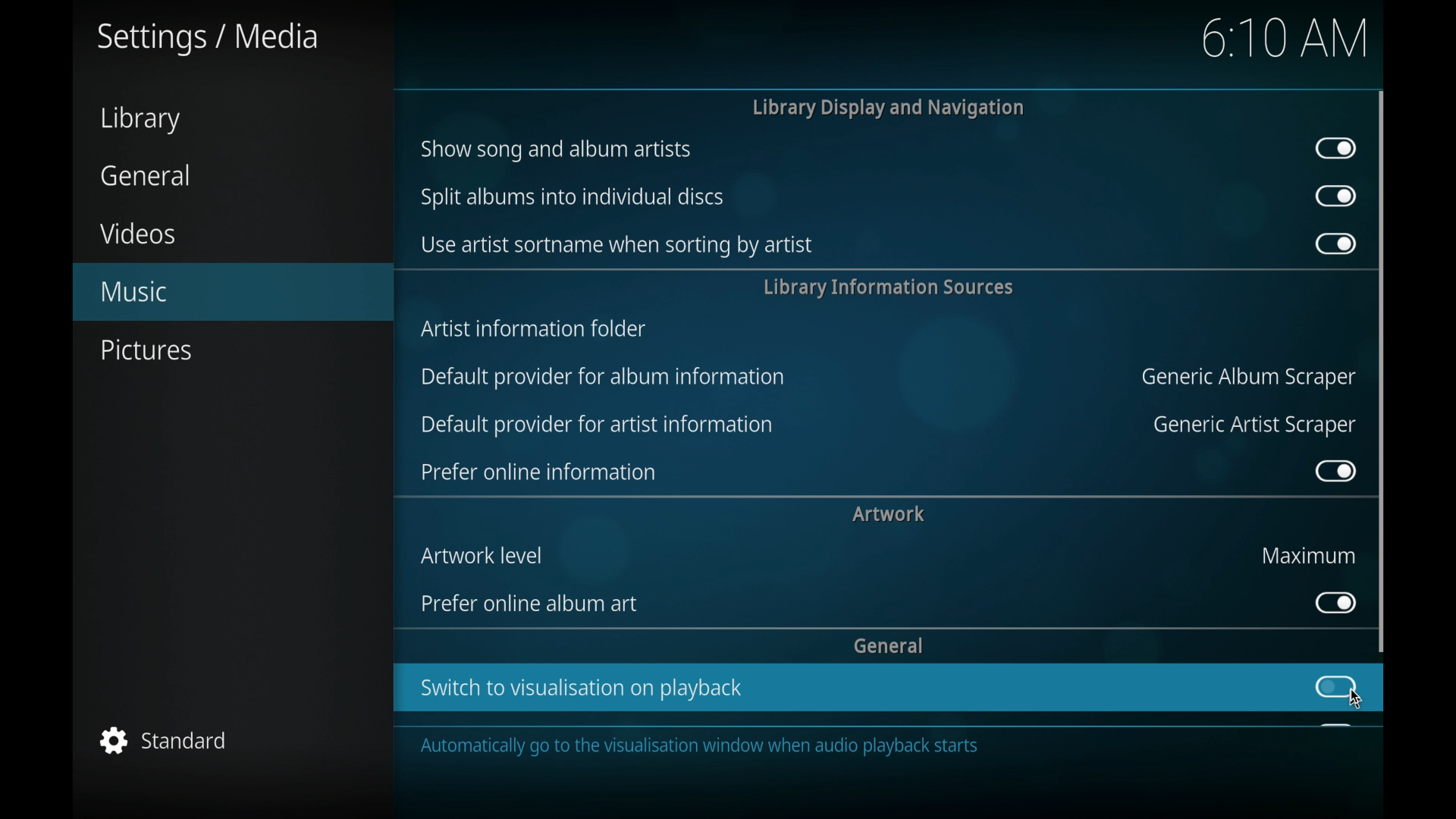 The height and width of the screenshot is (819, 1456). Describe the element at coordinates (165, 740) in the screenshot. I see `standard` at that location.